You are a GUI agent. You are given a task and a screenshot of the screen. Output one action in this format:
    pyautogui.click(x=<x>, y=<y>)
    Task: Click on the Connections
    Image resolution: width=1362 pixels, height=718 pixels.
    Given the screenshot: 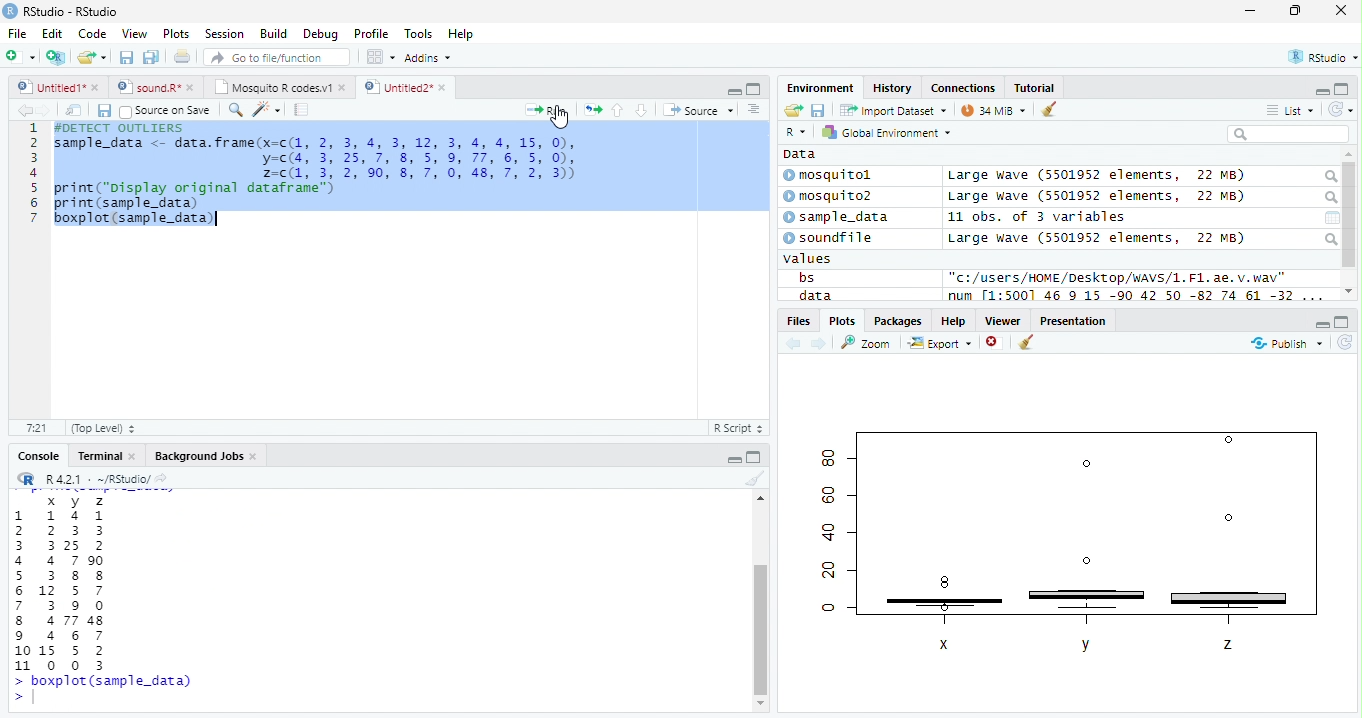 What is the action you would take?
    pyautogui.click(x=964, y=87)
    